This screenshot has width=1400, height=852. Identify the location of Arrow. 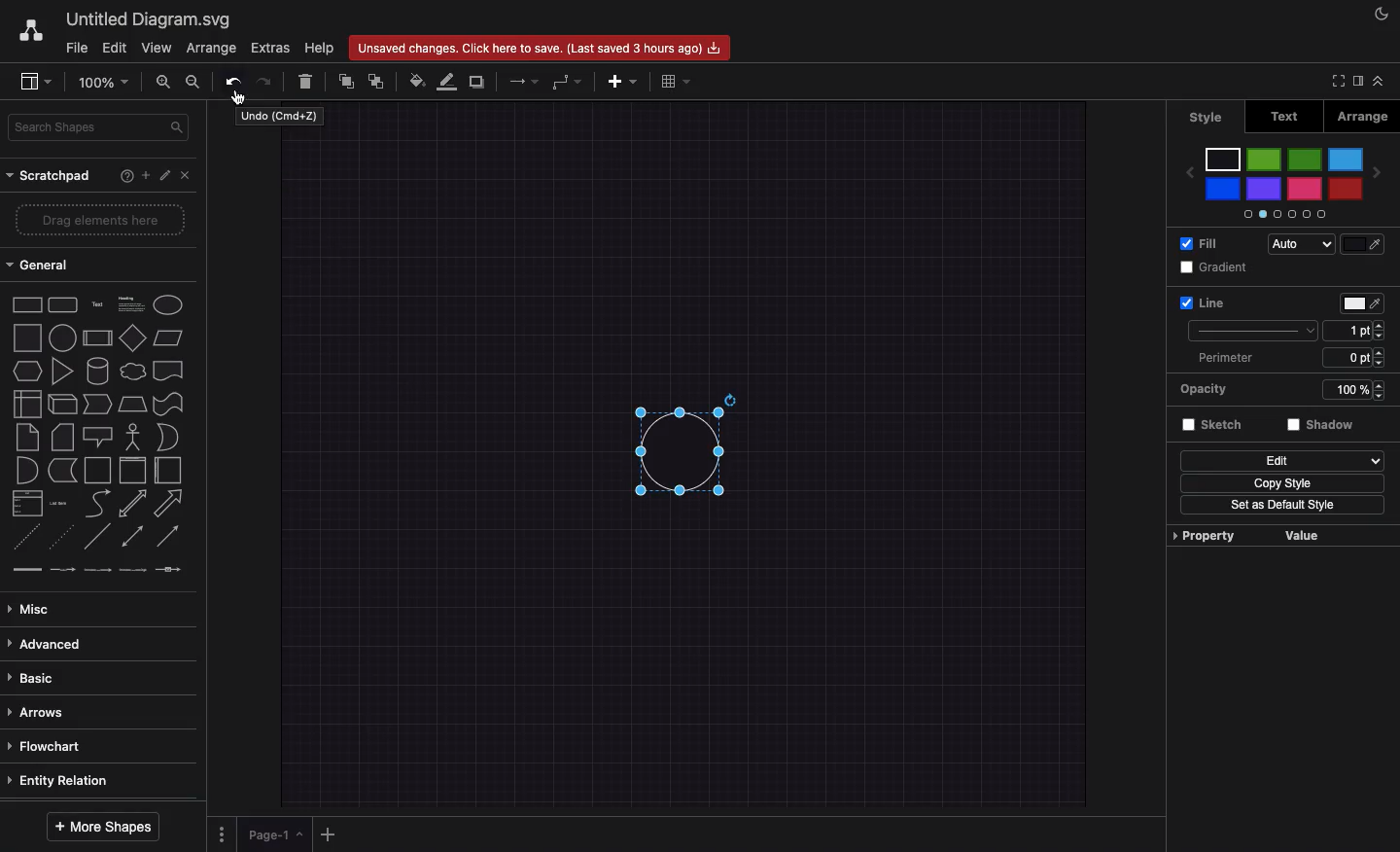
(525, 80).